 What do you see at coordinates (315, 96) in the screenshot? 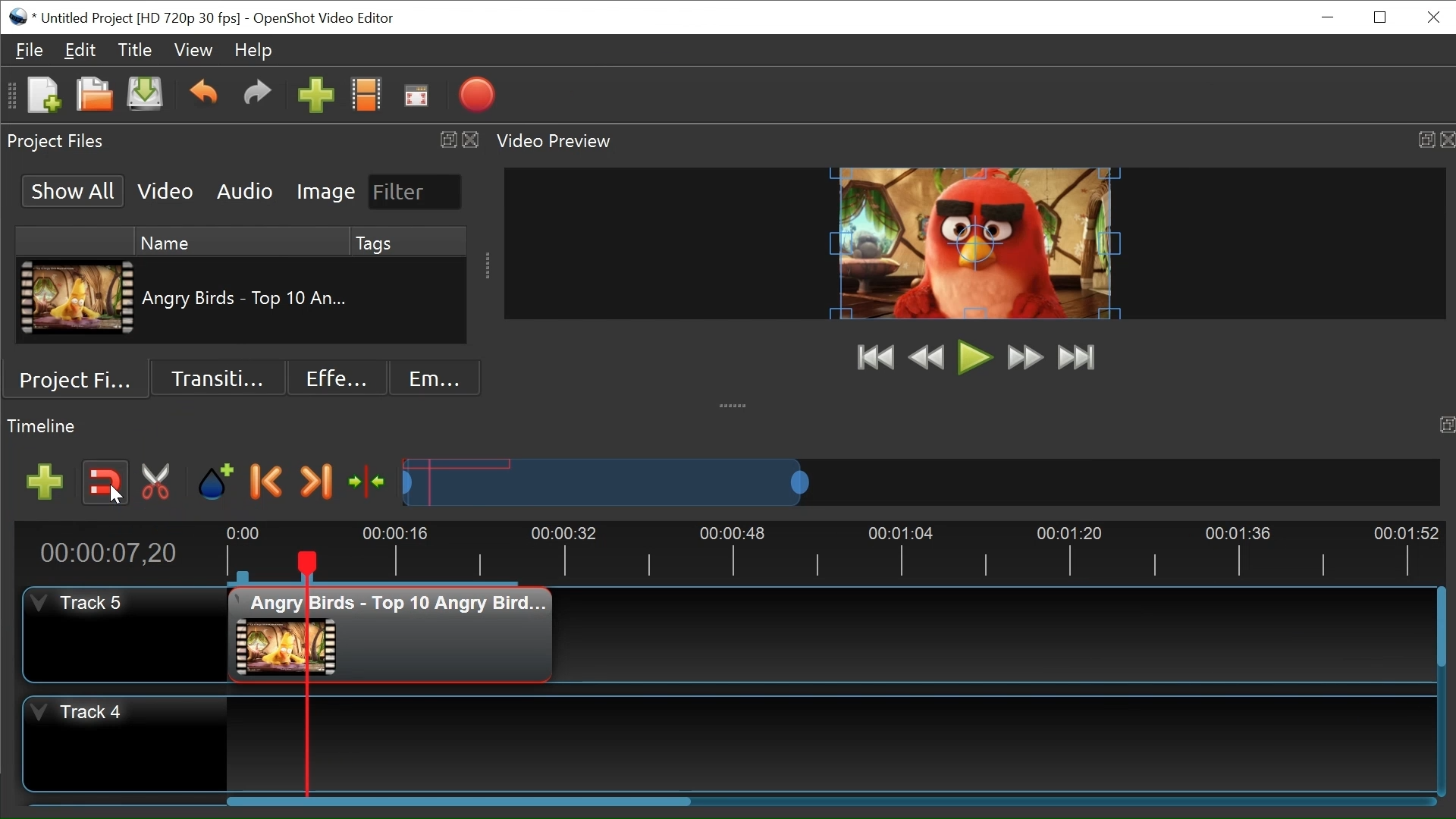
I see `Import Files` at bounding box center [315, 96].